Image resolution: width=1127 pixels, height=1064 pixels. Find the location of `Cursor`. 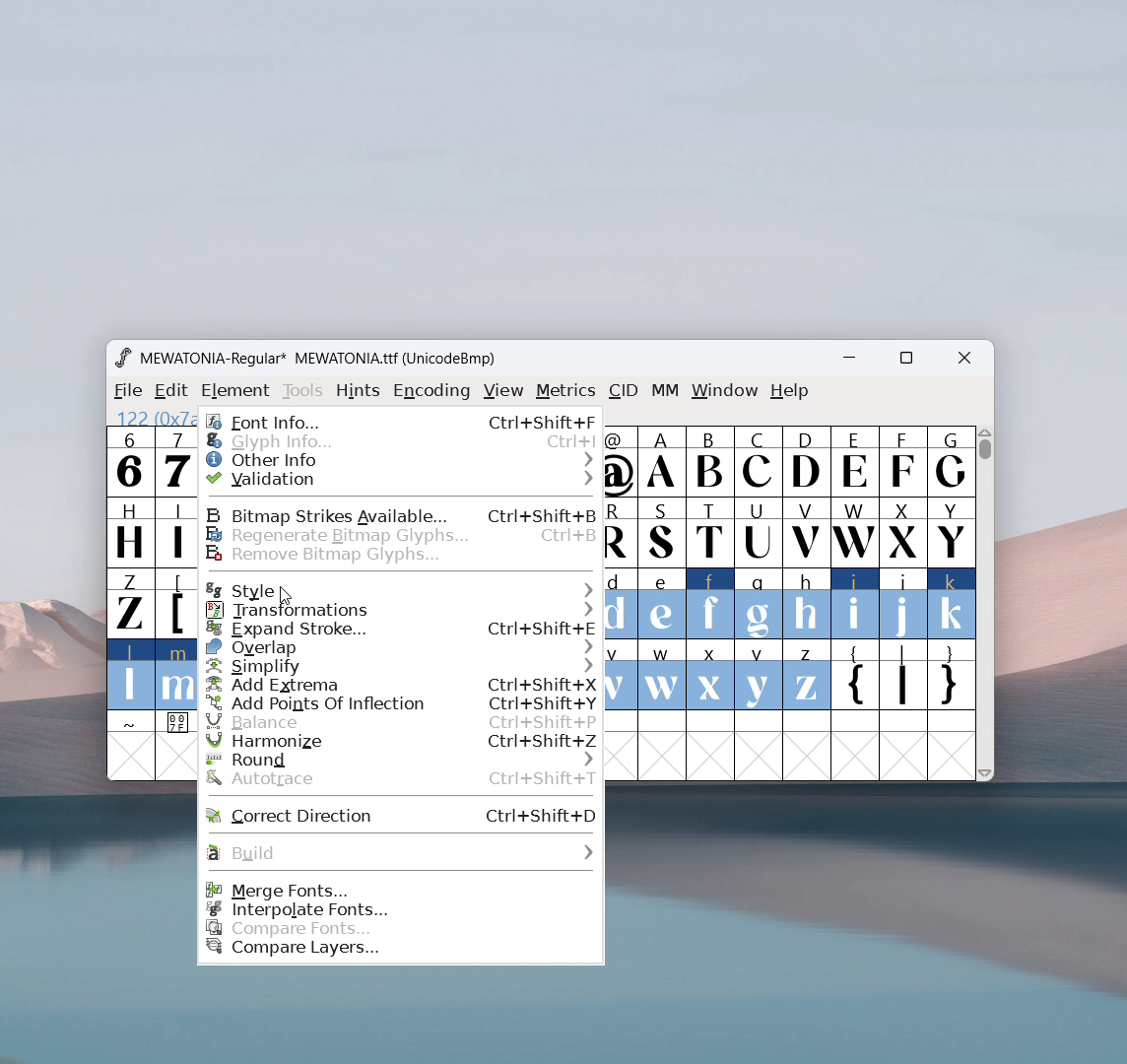

Cursor is located at coordinates (285, 596).